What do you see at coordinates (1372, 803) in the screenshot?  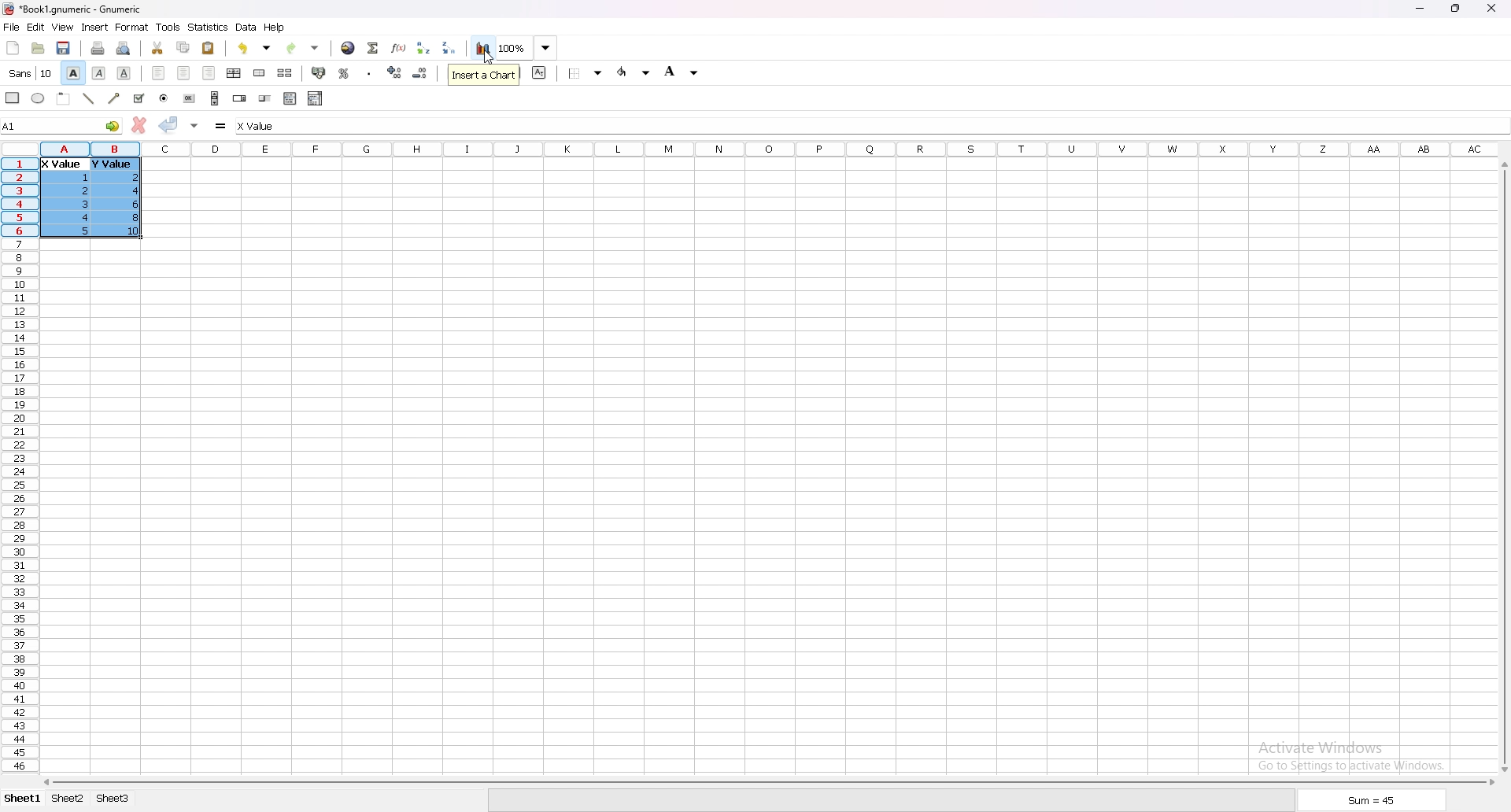 I see `sum` at bounding box center [1372, 803].